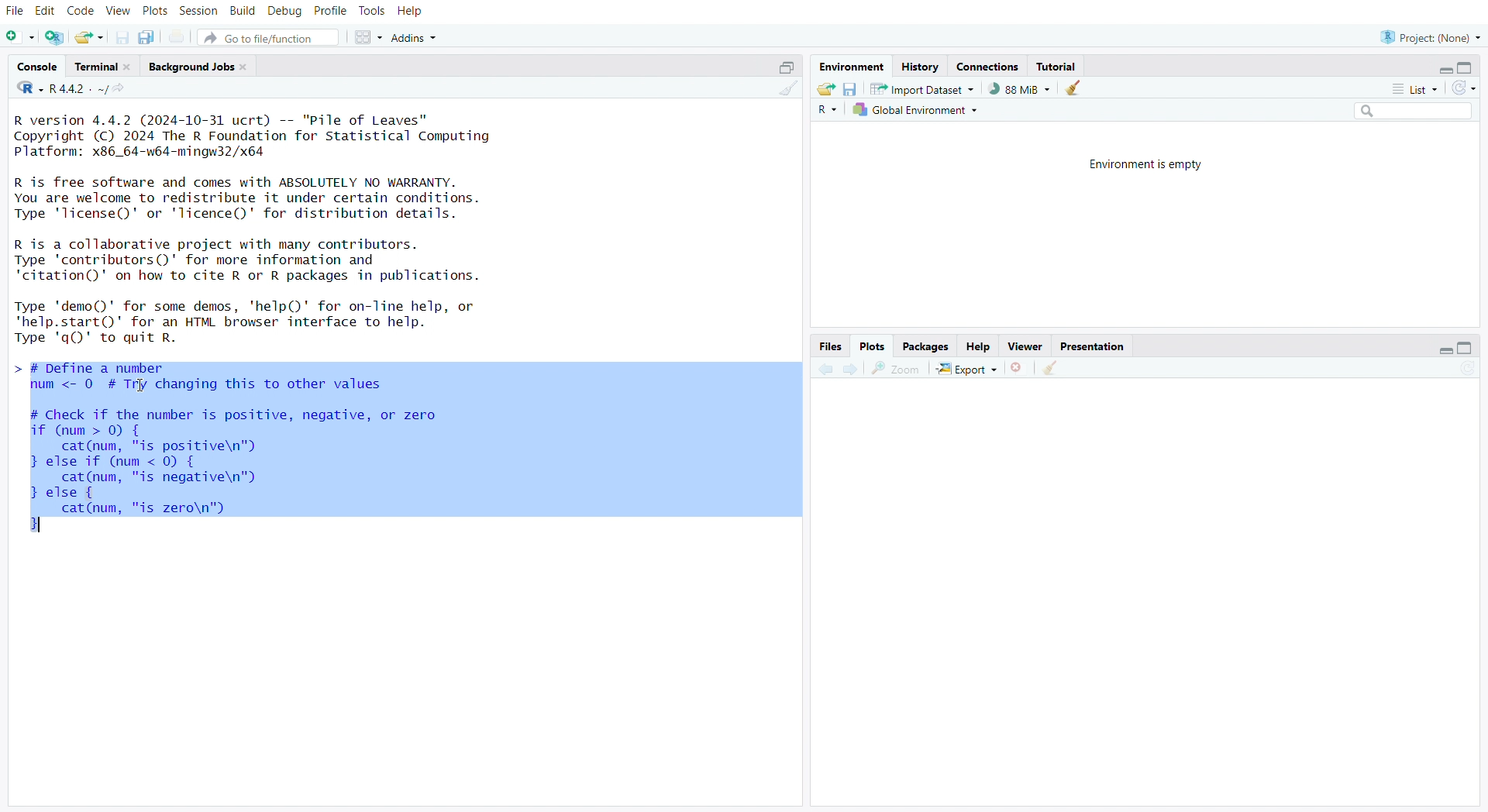 The image size is (1488, 812). Describe the element at coordinates (1052, 368) in the screenshot. I see `clear all plot` at that location.